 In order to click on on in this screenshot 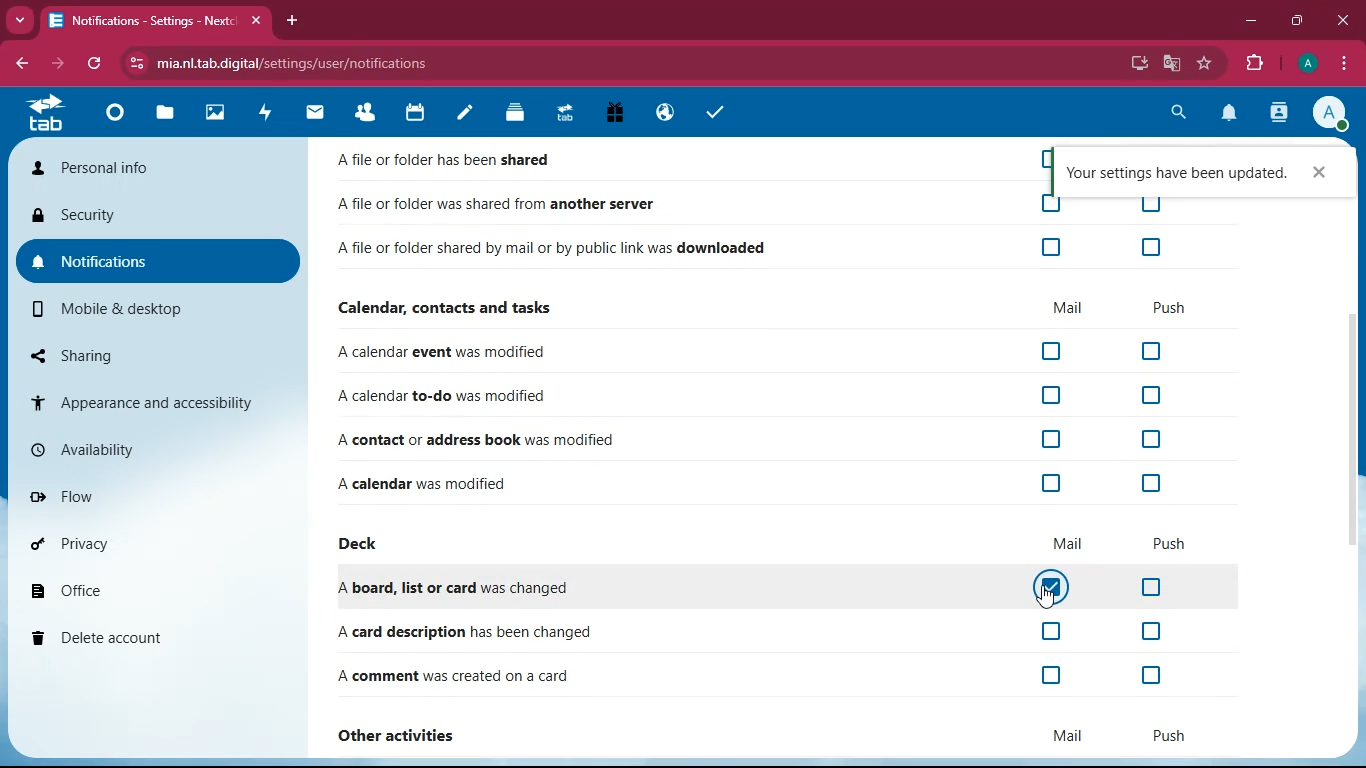, I will do `click(1049, 586)`.